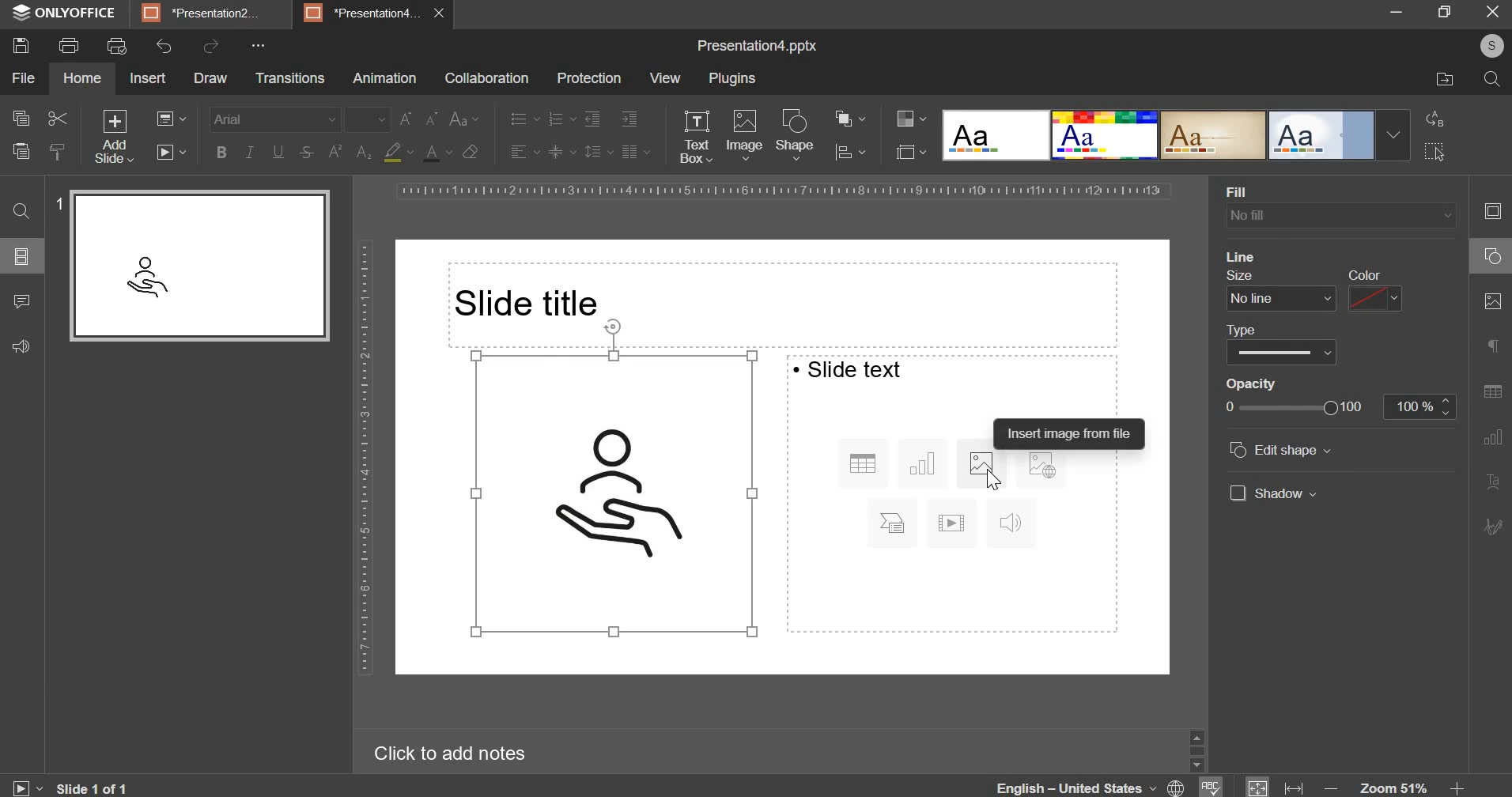 The width and height of the screenshot is (1512, 797). Describe the element at coordinates (114, 138) in the screenshot. I see `add slide` at that location.